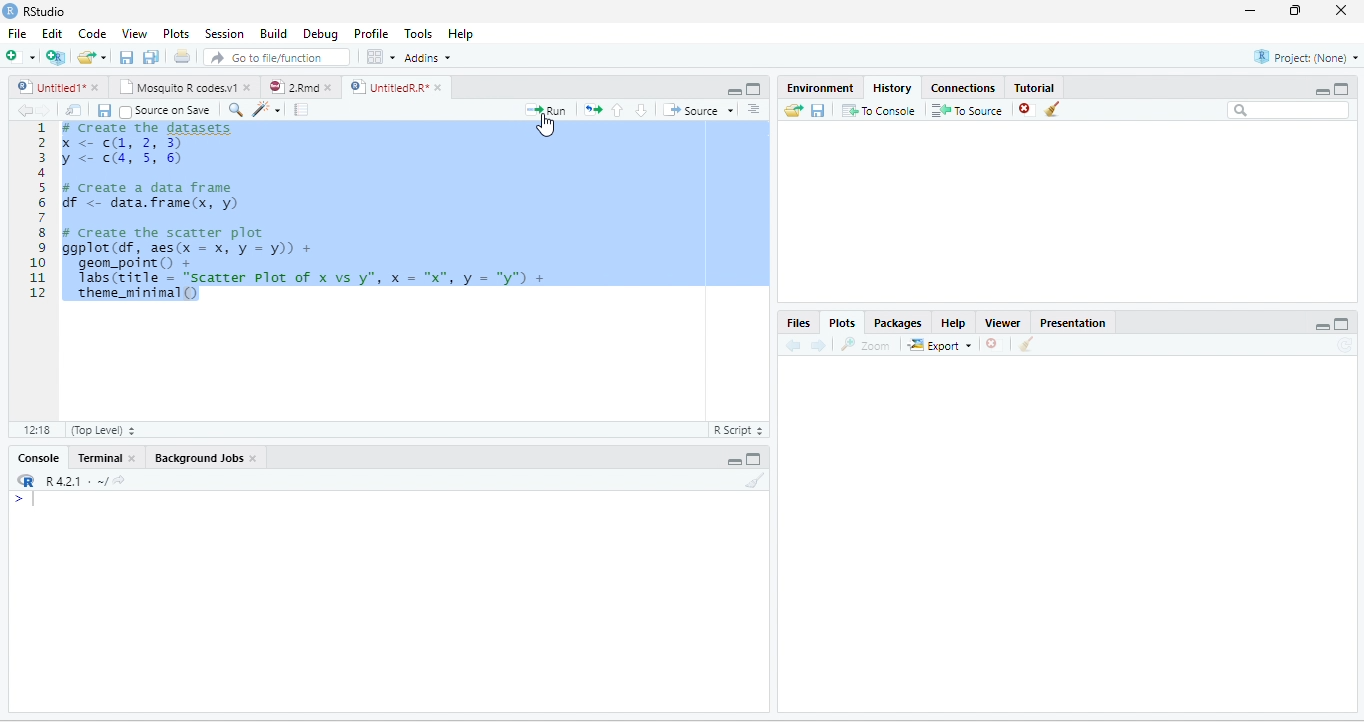 This screenshot has width=1364, height=722. What do you see at coordinates (756, 480) in the screenshot?
I see `Clear console` at bounding box center [756, 480].